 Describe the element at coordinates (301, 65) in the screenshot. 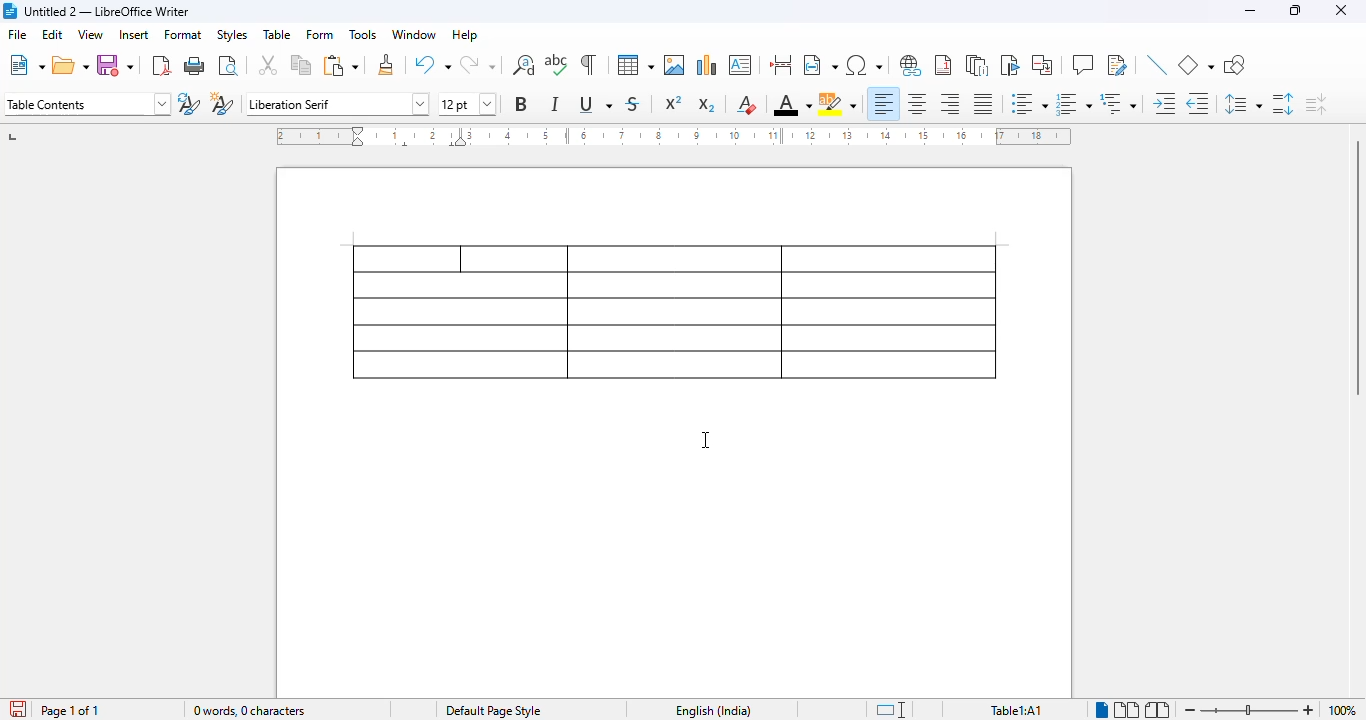

I see `copy` at that location.